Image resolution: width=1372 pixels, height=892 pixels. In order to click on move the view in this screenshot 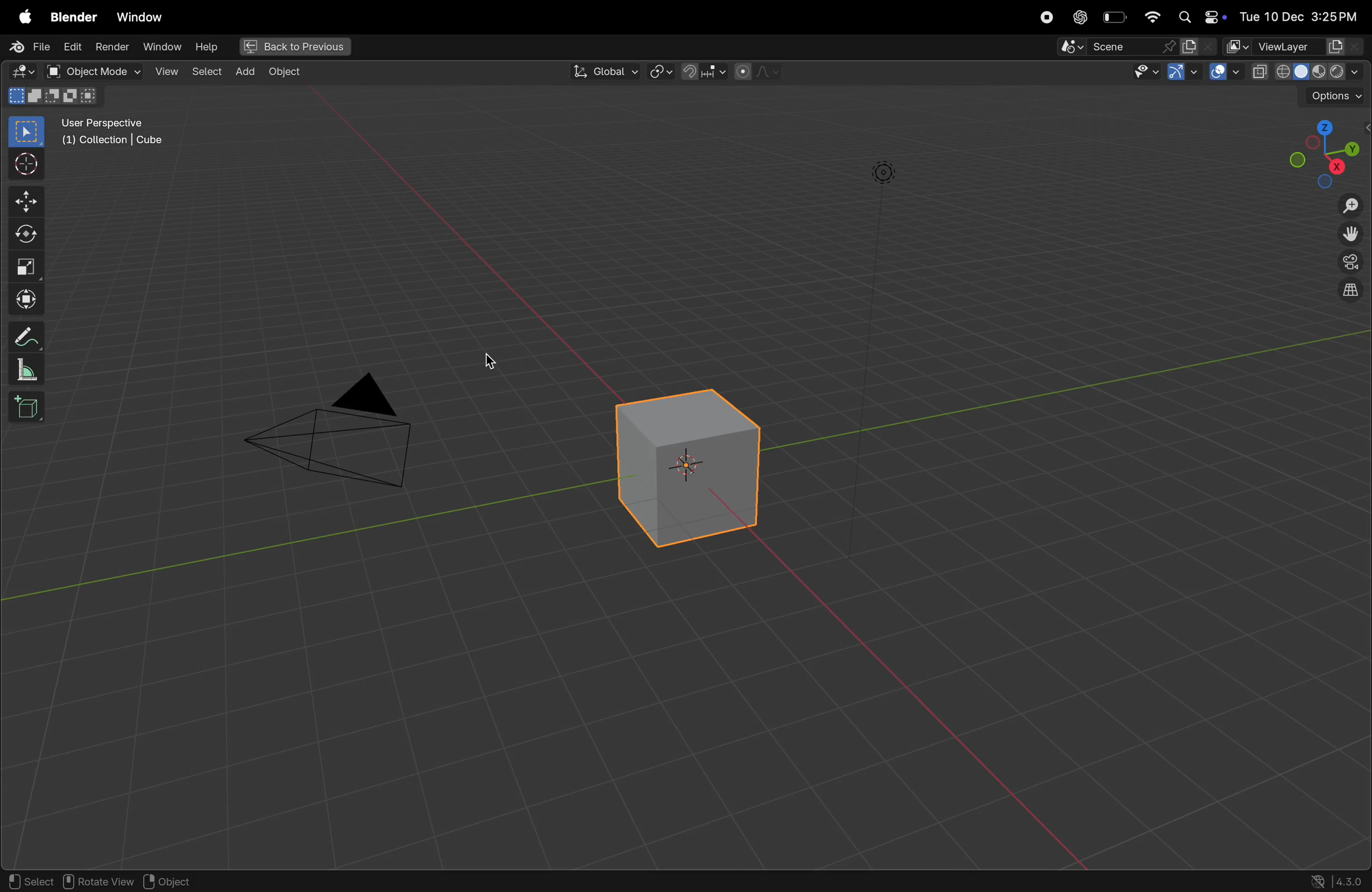, I will do `click(1351, 235)`.